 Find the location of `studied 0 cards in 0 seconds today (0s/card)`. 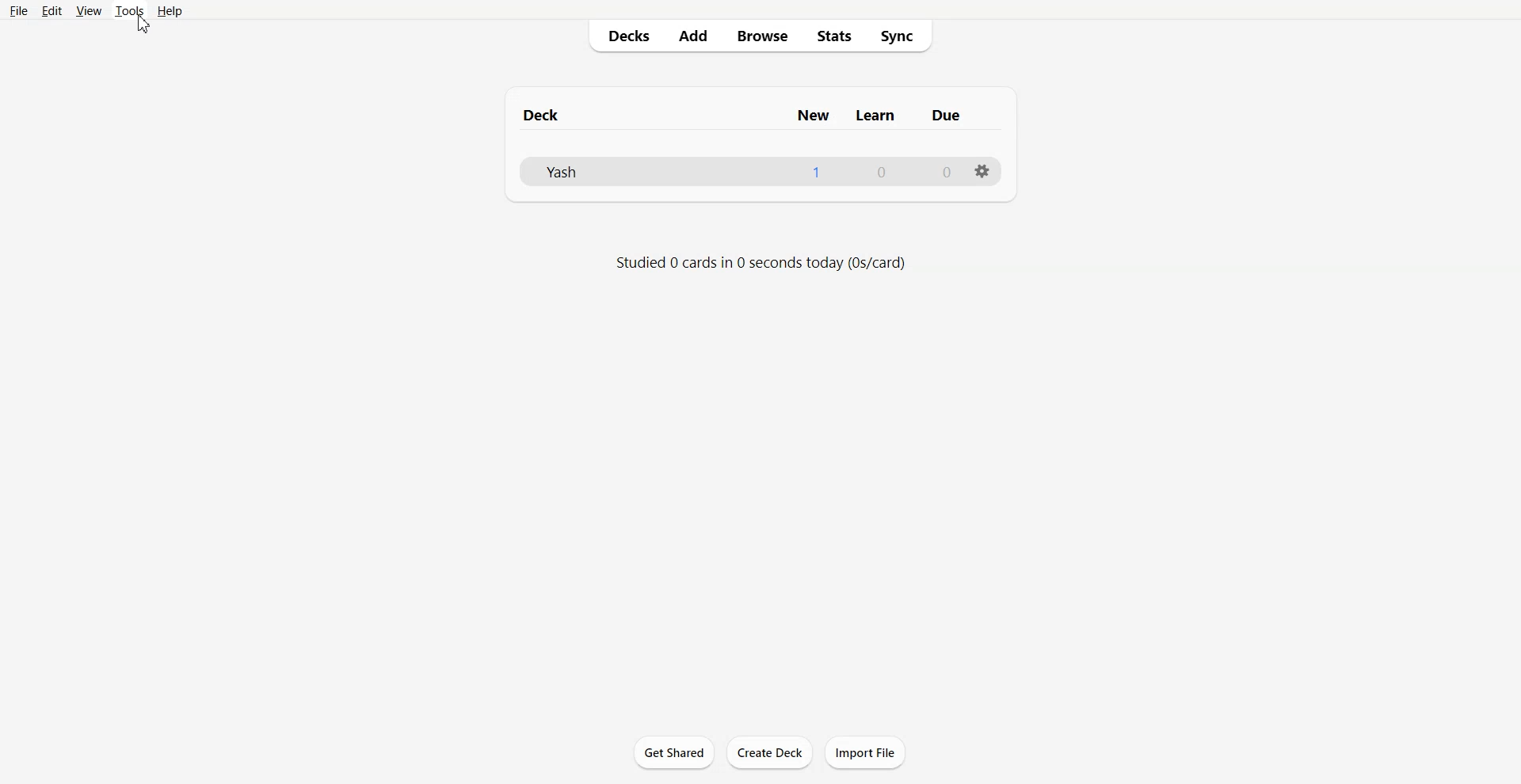

studied 0 cards in 0 seconds today (0s/card) is located at coordinates (761, 263).